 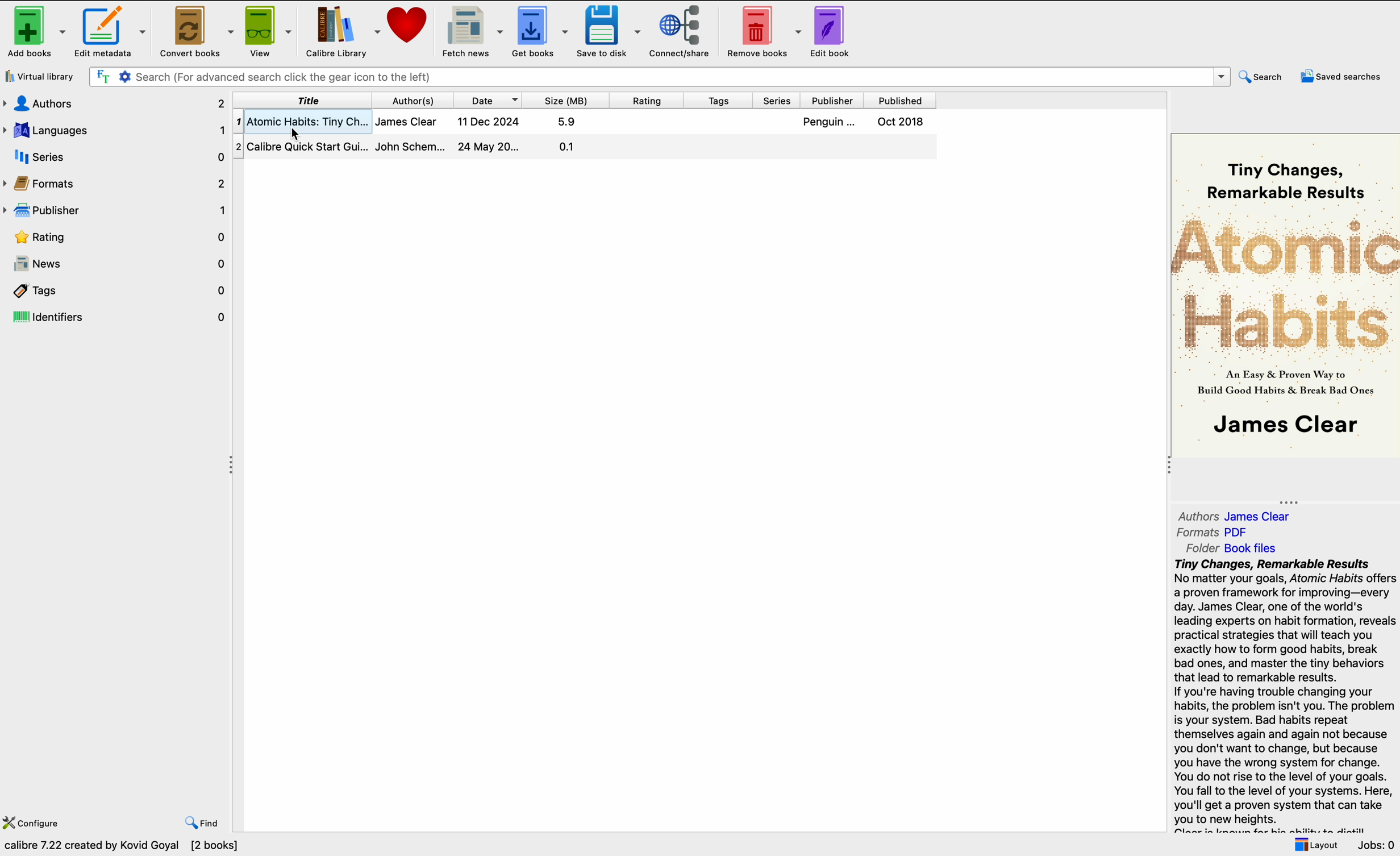 I want to click on view, so click(x=267, y=31).